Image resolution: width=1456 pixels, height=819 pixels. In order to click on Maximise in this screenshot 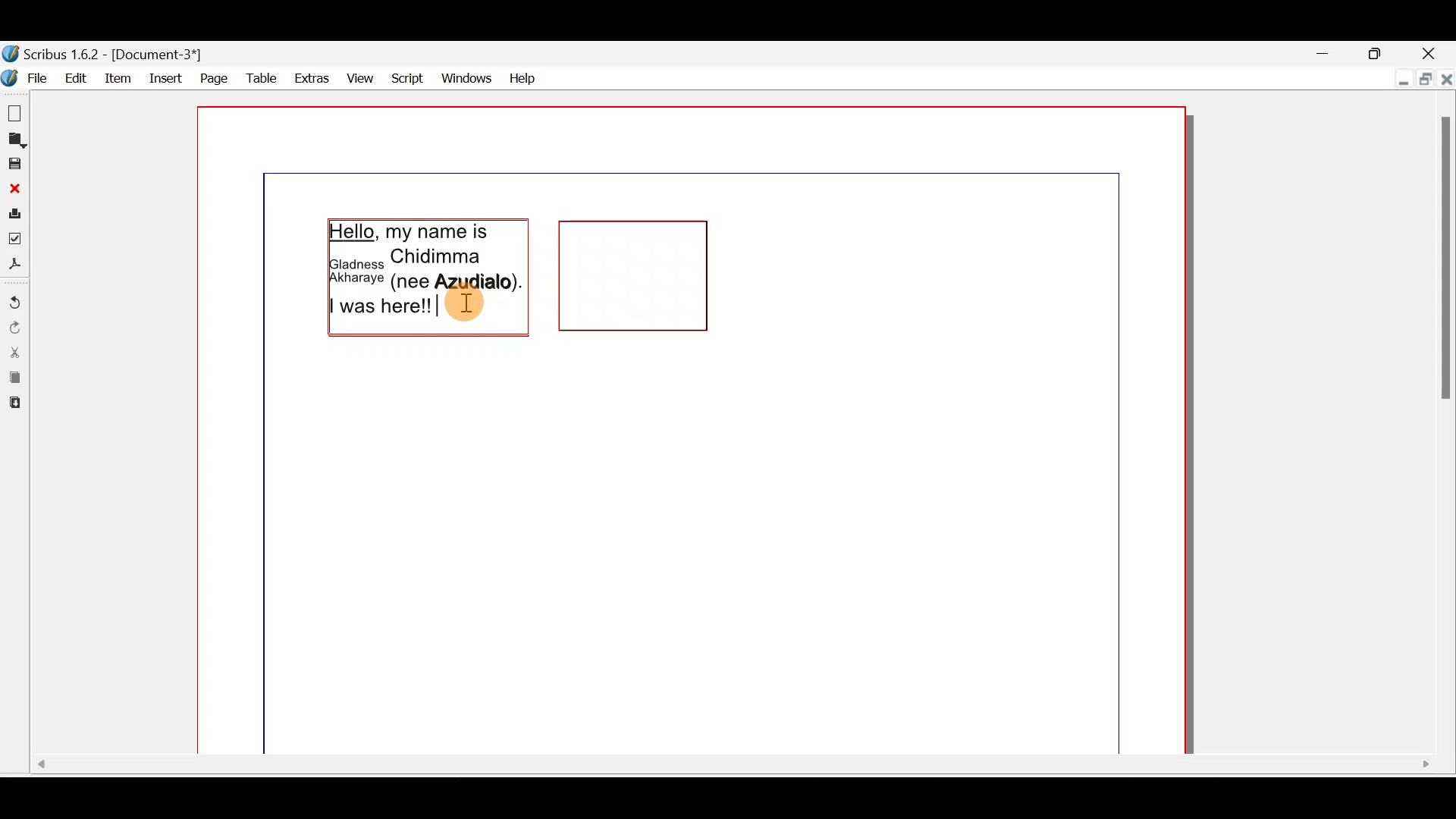, I will do `click(1422, 78)`.